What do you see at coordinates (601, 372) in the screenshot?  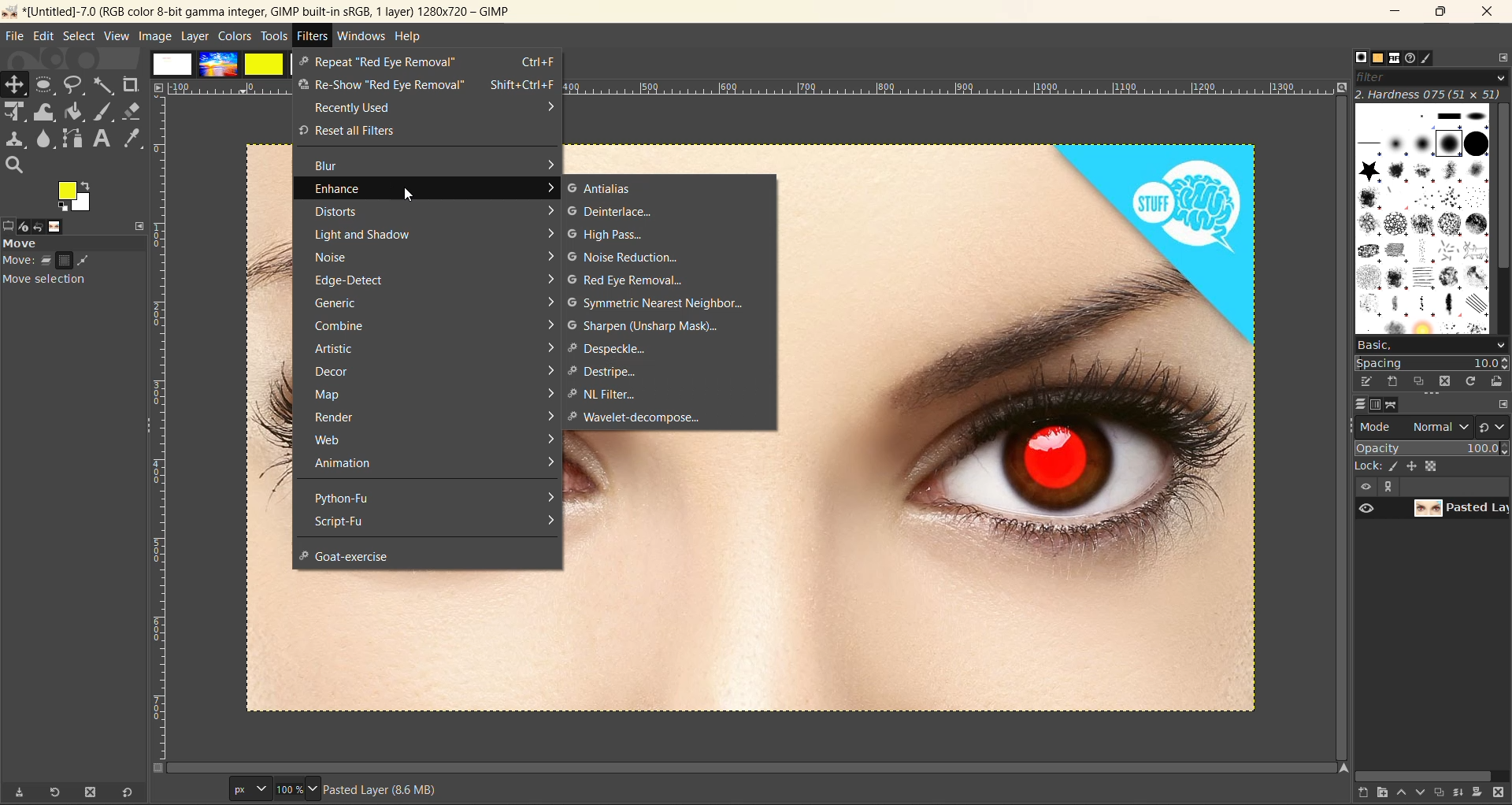 I see `destripe` at bounding box center [601, 372].